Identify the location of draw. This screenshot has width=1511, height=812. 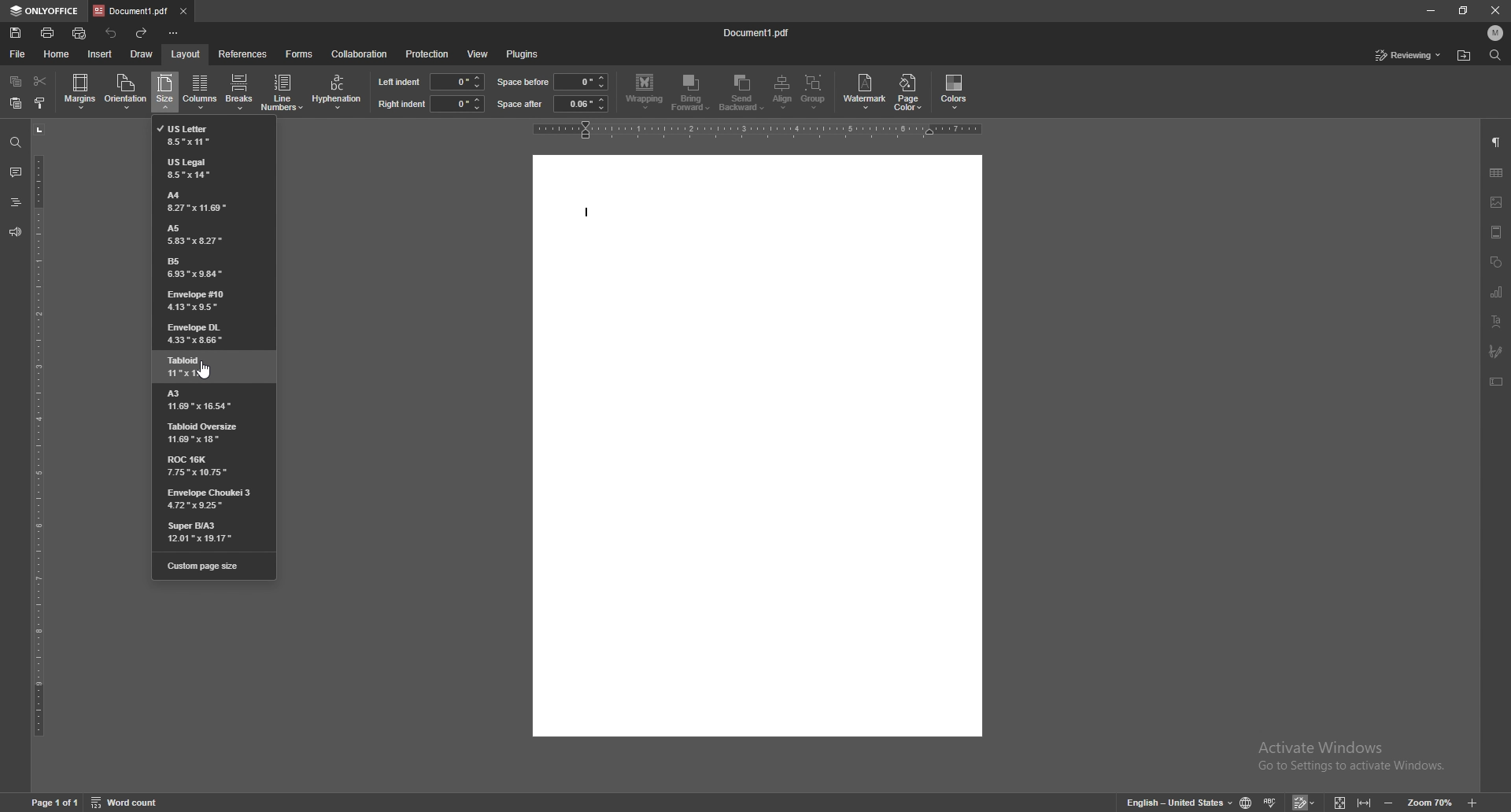
(142, 54).